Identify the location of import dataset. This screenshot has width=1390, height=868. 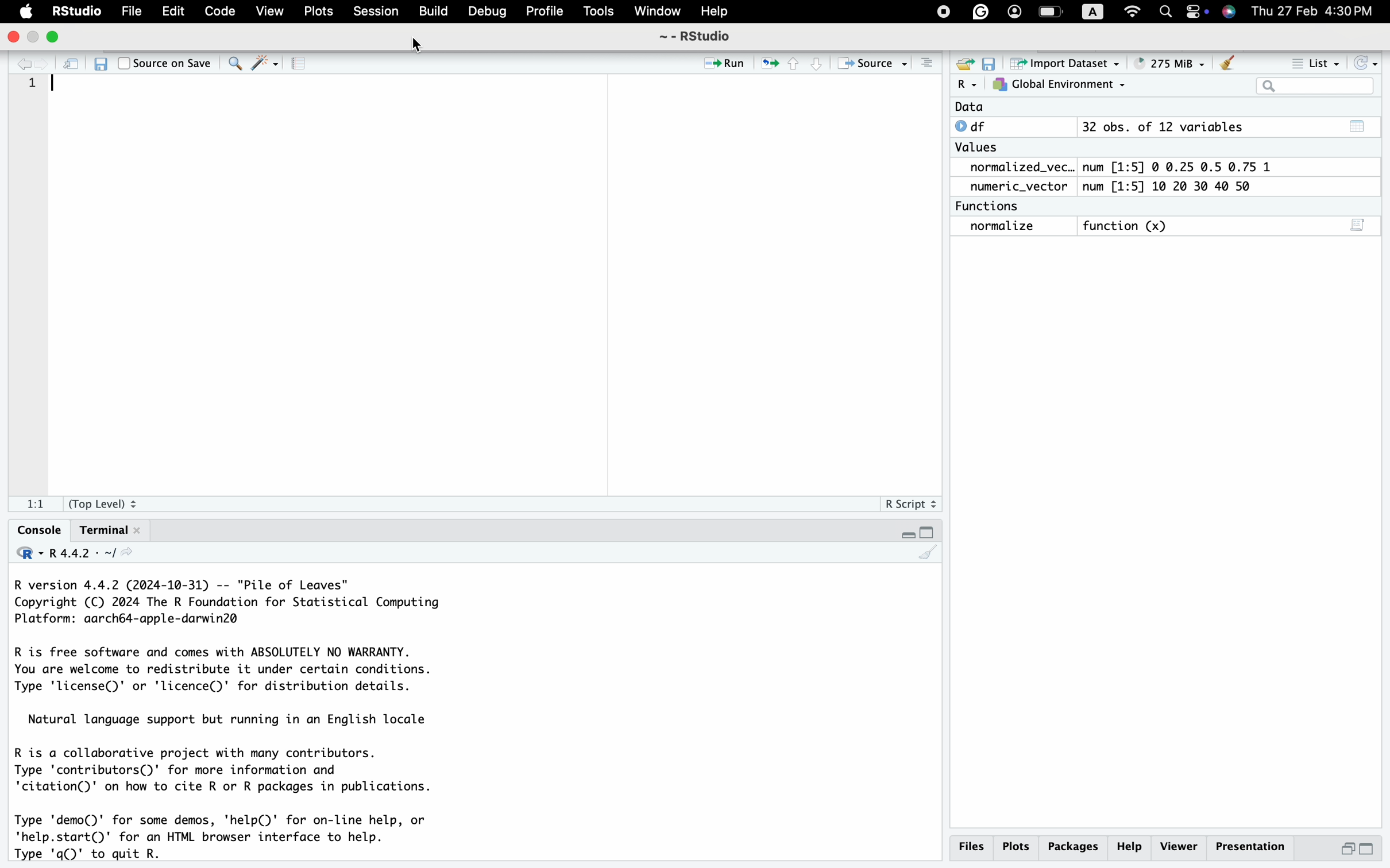
(1072, 64).